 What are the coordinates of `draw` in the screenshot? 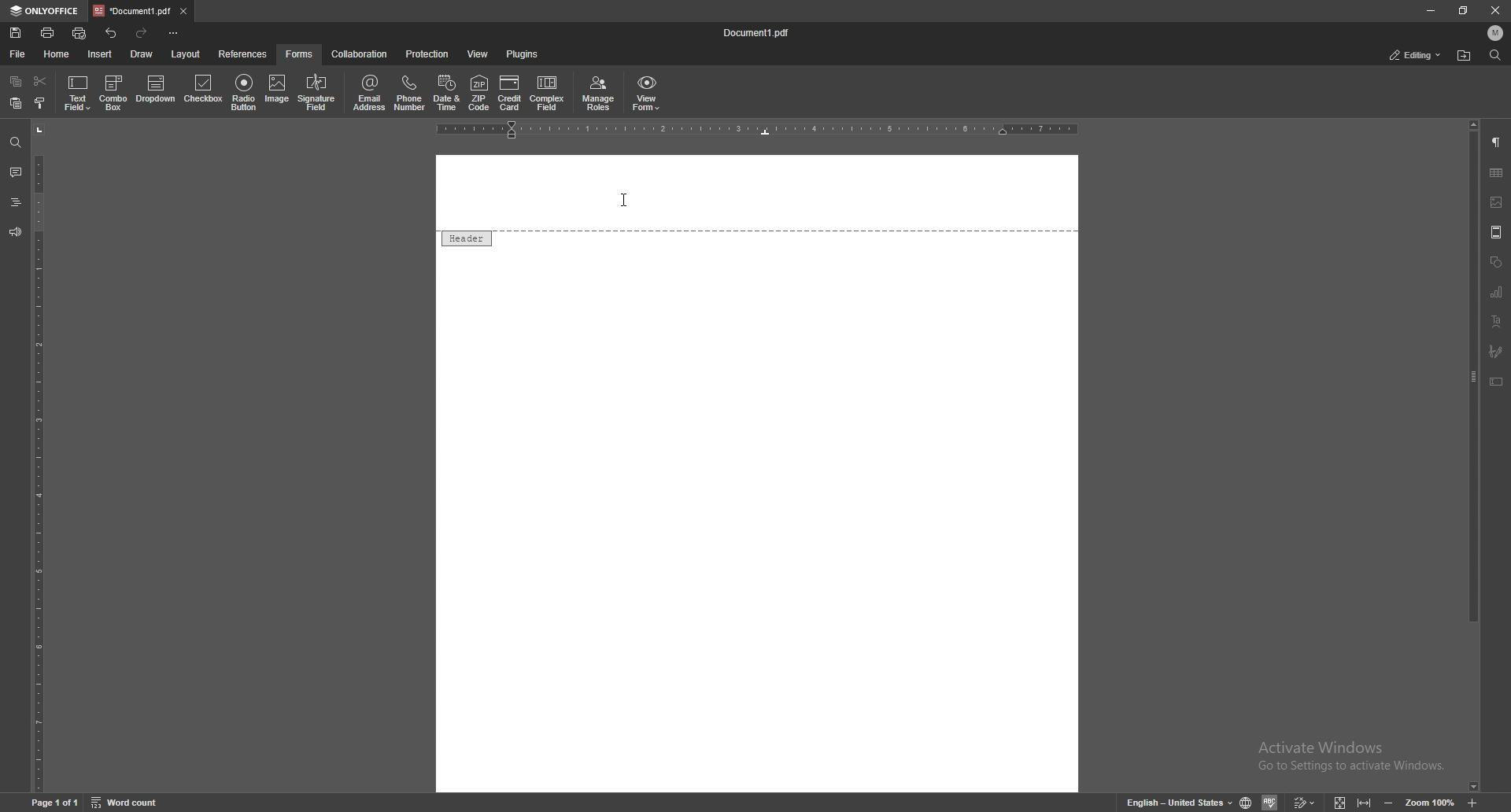 It's located at (141, 54).